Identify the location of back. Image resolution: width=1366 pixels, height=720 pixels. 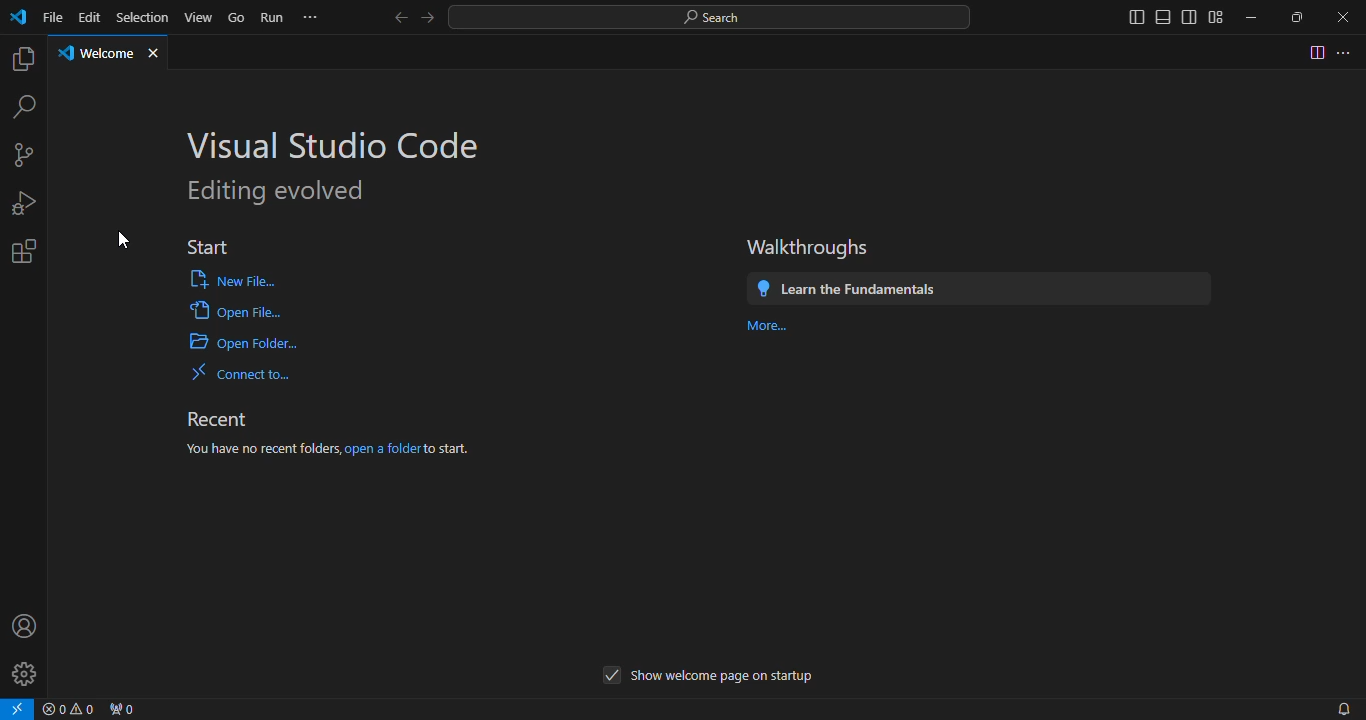
(394, 15).